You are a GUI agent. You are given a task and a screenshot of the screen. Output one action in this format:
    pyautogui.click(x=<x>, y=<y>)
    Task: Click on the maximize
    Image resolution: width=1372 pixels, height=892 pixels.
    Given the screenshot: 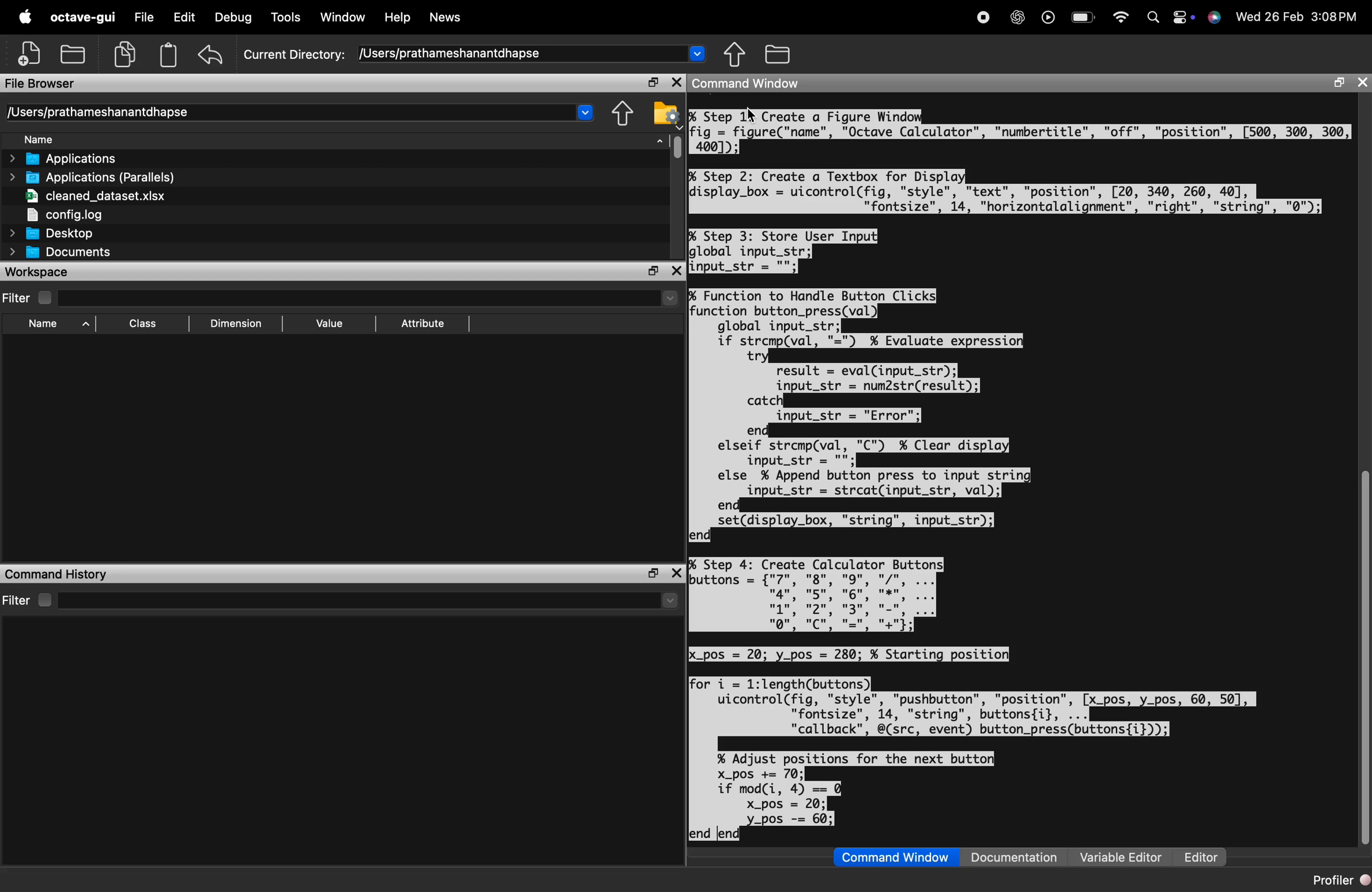 What is the action you would take?
    pyautogui.click(x=675, y=573)
    